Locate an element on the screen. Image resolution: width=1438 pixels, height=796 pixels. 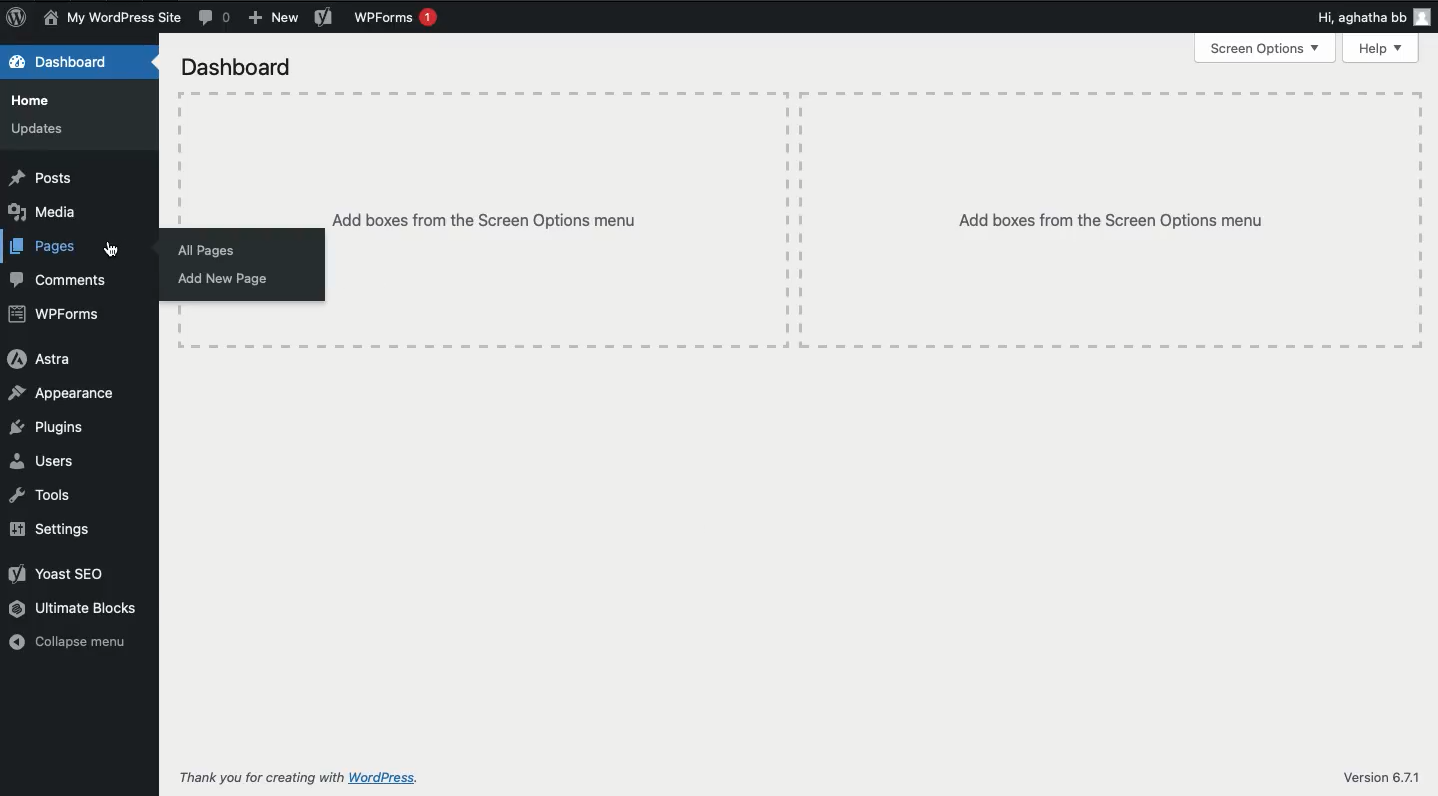
Media is located at coordinates (45, 213).